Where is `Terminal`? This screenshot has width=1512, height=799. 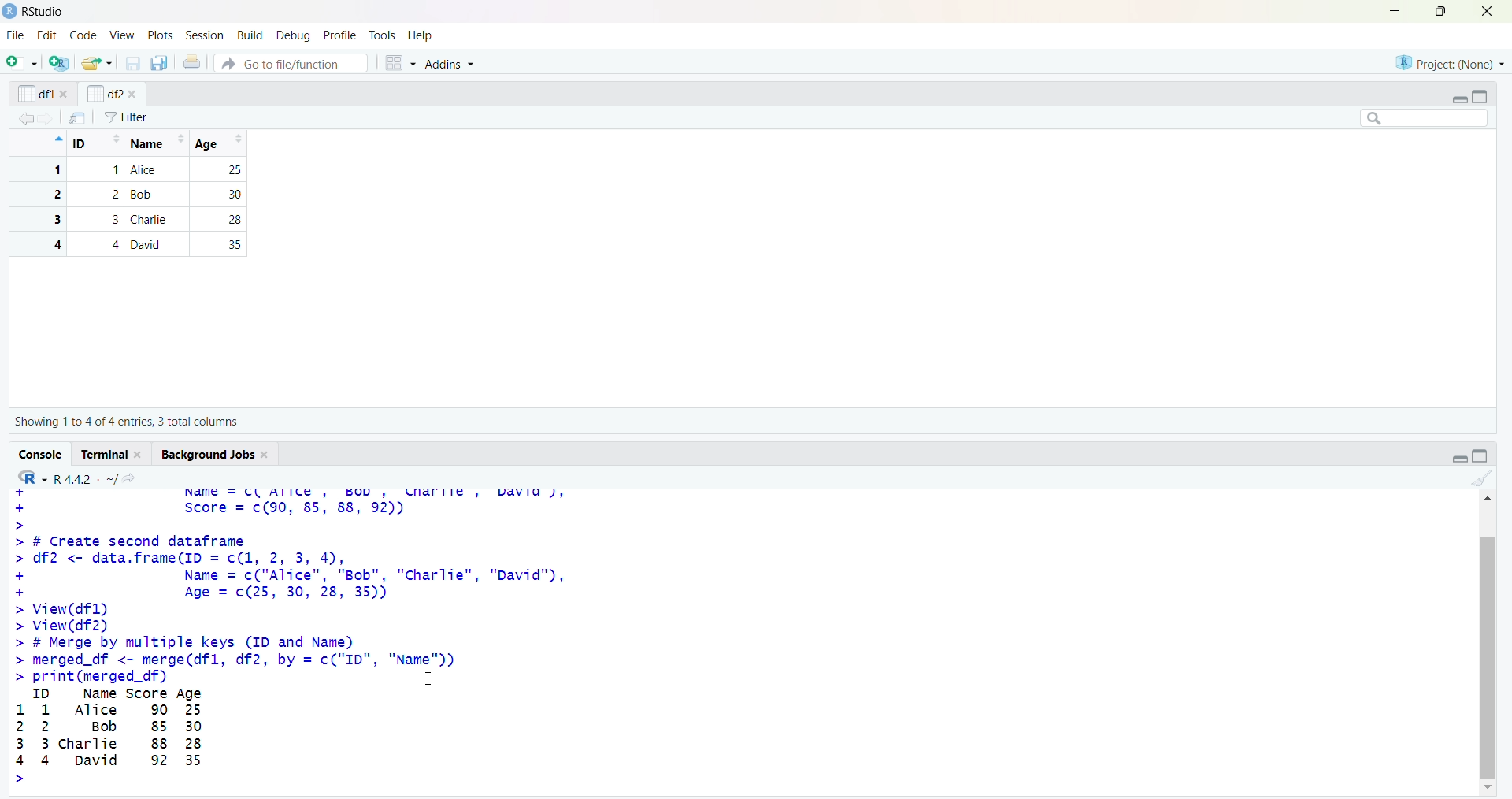
Terminal is located at coordinates (106, 454).